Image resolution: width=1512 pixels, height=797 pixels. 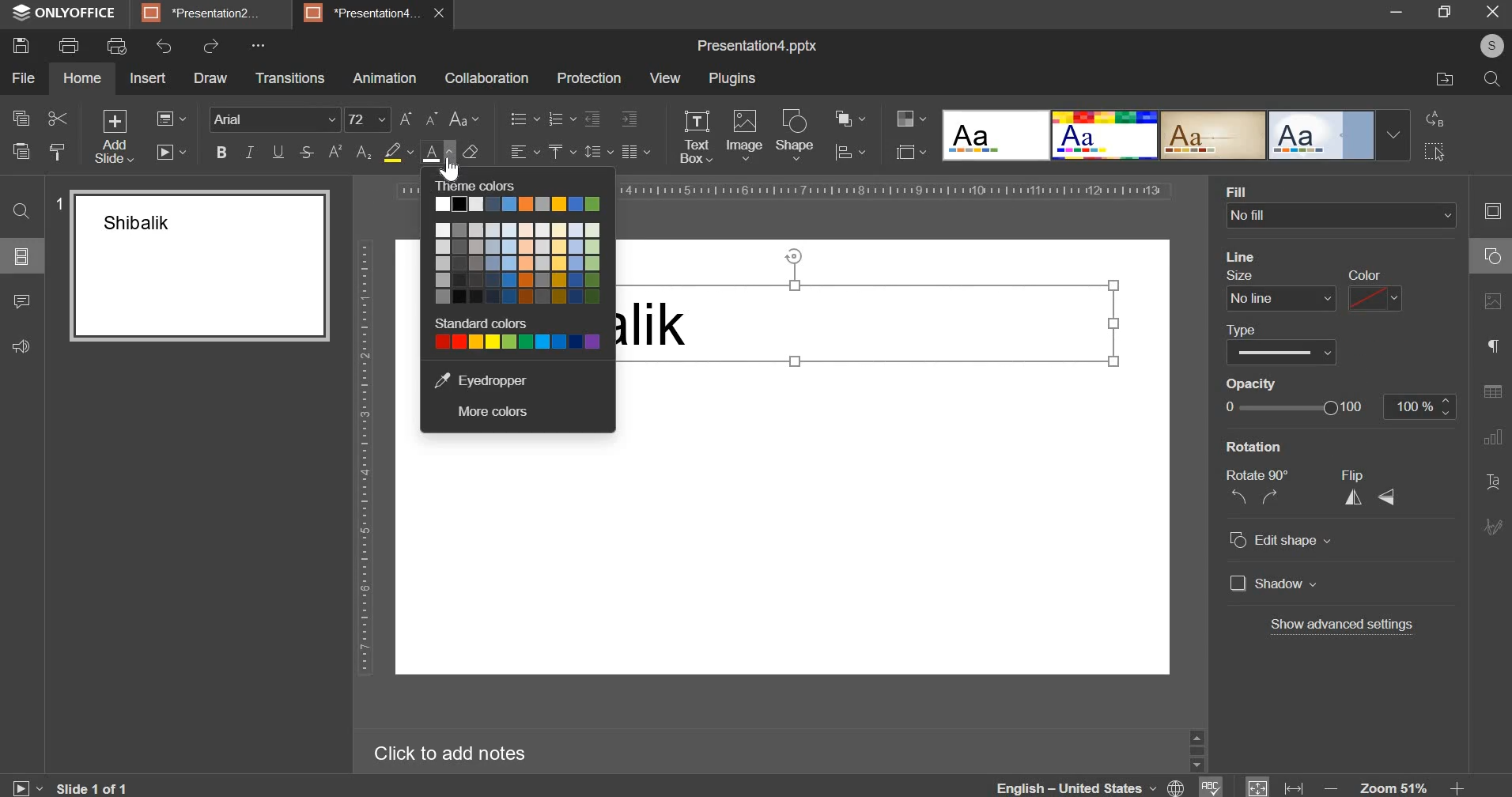 What do you see at coordinates (1491, 531) in the screenshot?
I see `` at bounding box center [1491, 531].